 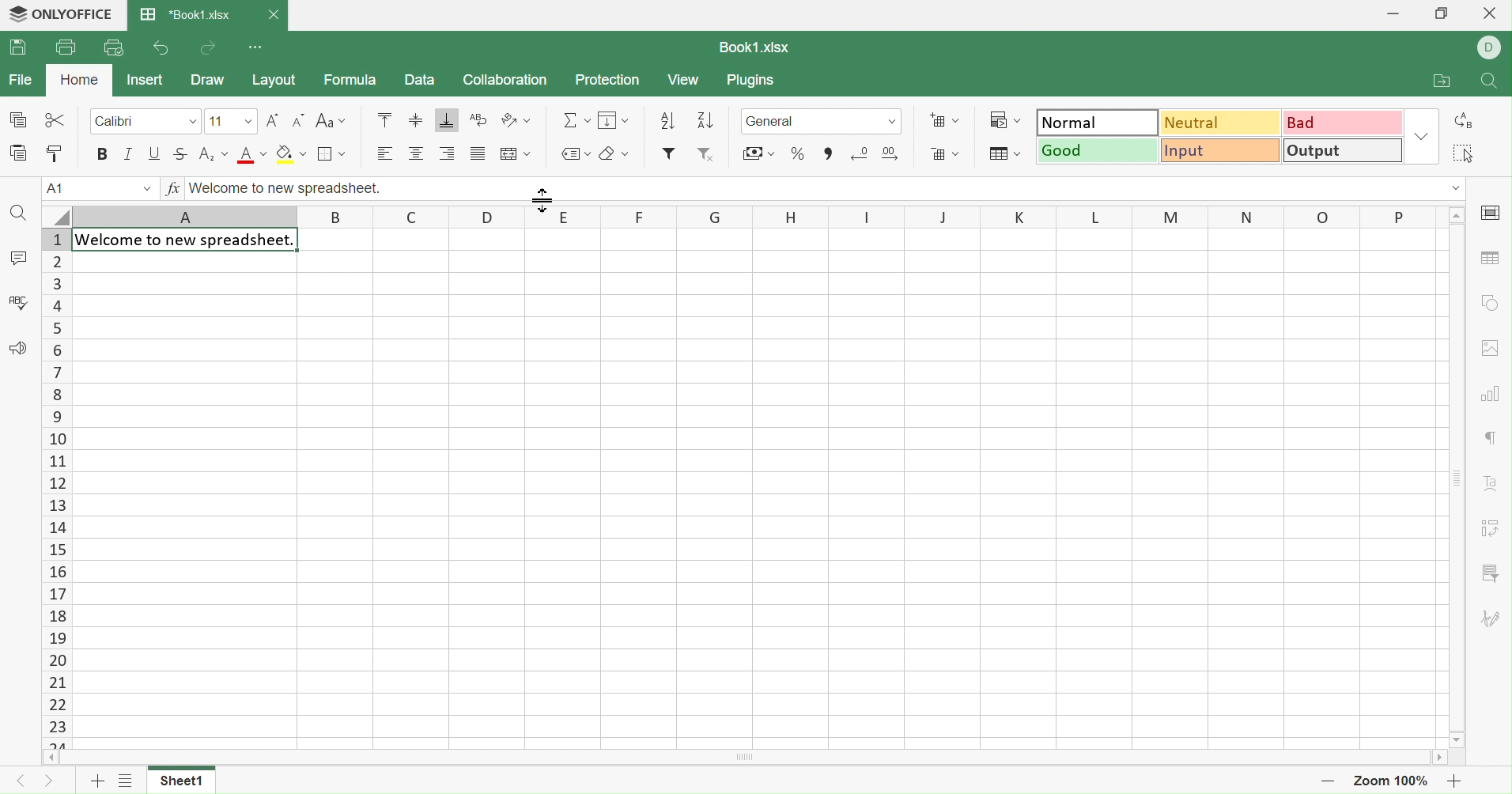 What do you see at coordinates (667, 121) in the screenshot?
I see `Ascending order` at bounding box center [667, 121].